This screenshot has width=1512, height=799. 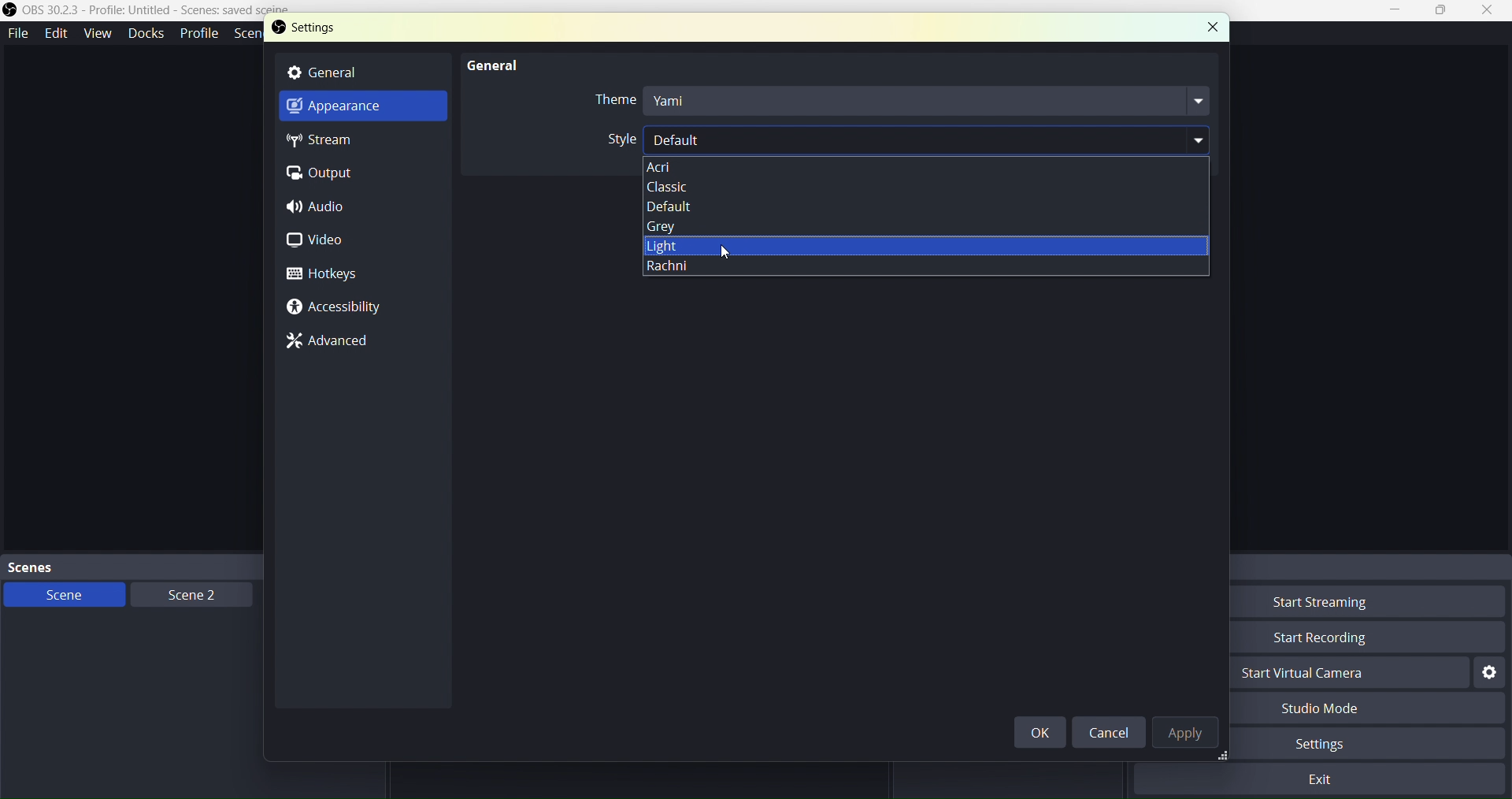 What do you see at coordinates (336, 31) in the screenshot?
I see `Settings` at bounding box center [336, 31].